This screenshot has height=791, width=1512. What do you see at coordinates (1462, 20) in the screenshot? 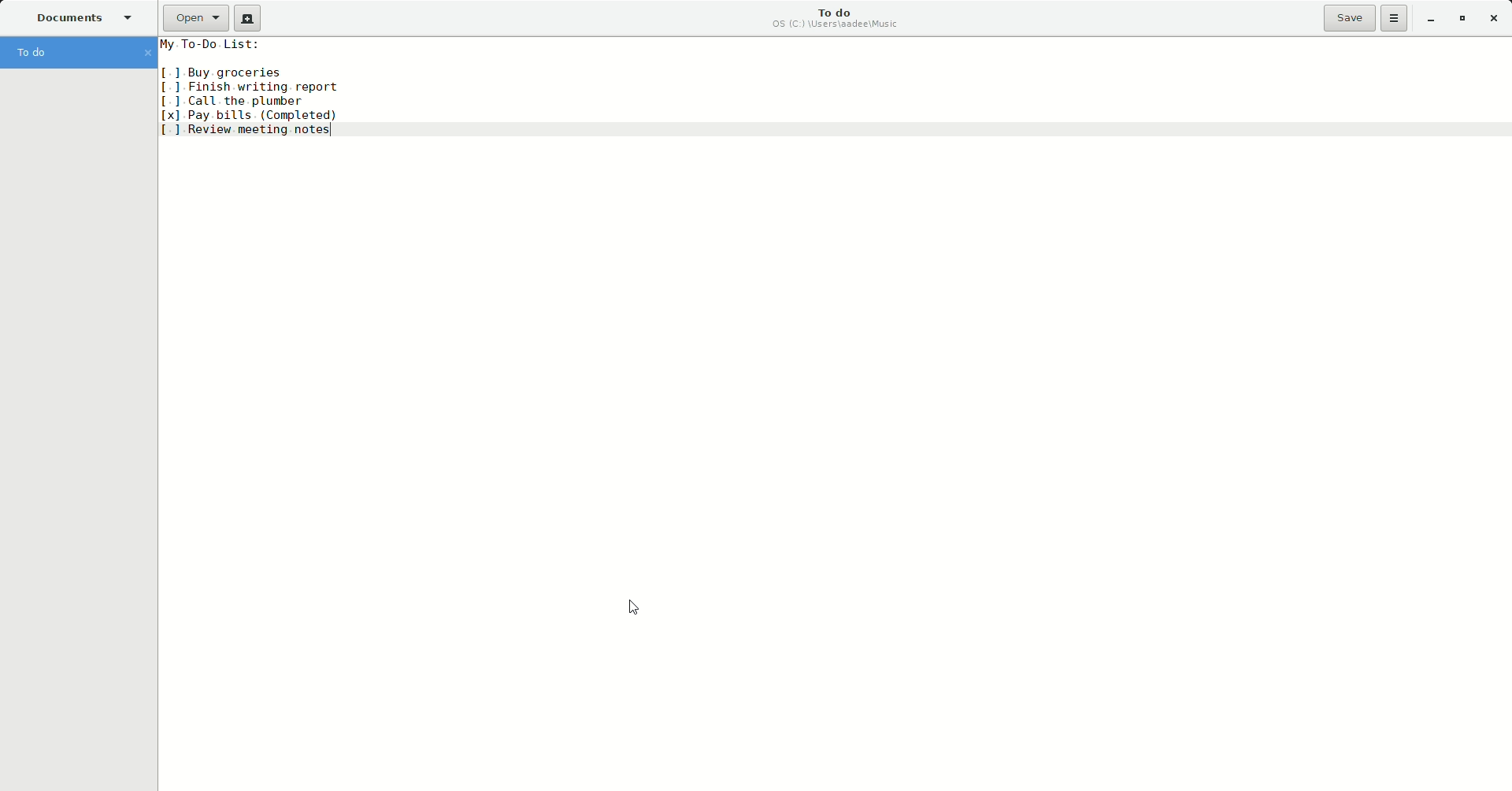
I see `Restore` at bounding box center [1462, 20].